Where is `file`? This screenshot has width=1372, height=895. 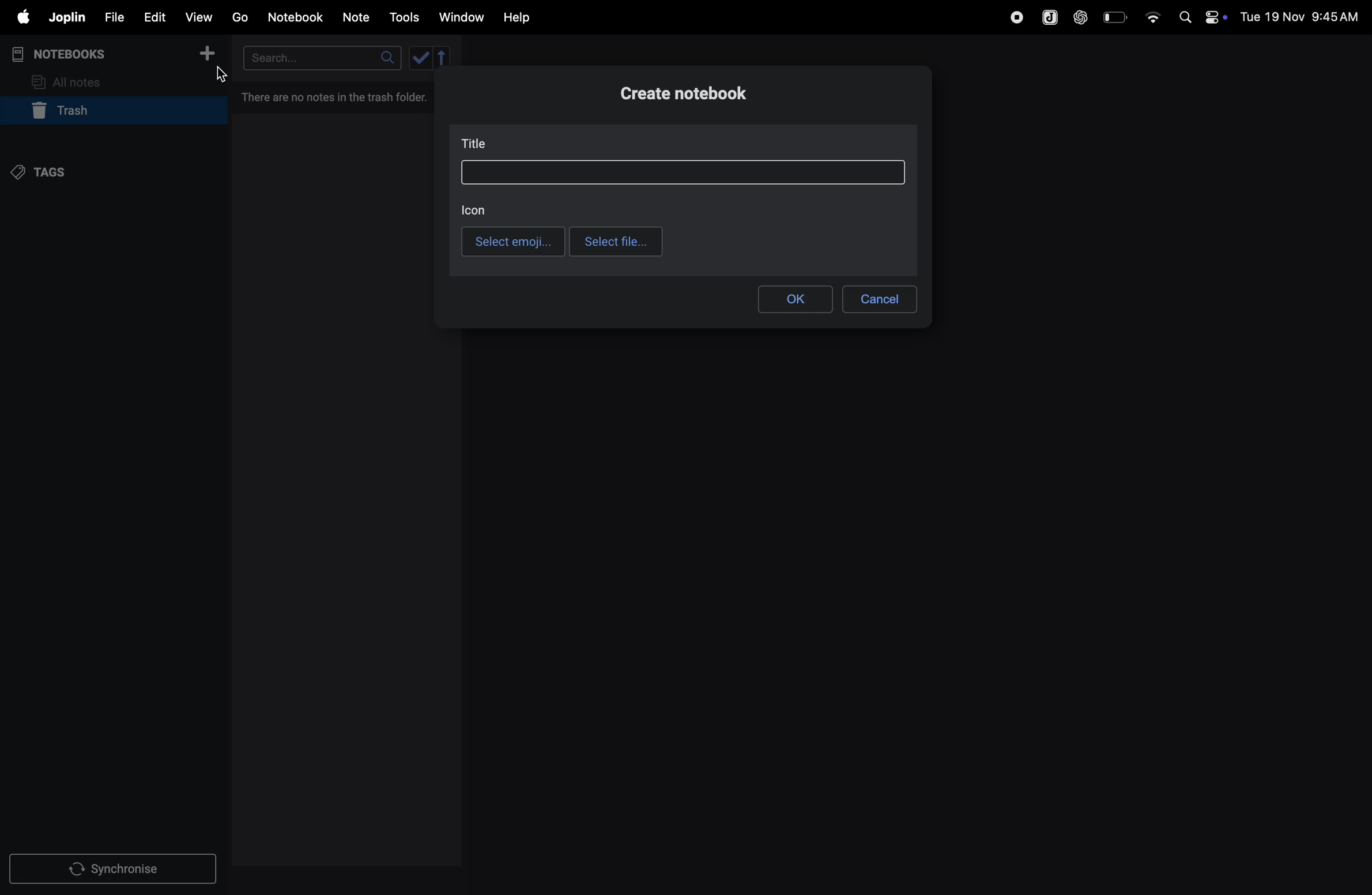
file is located at coordinates (112, 18).